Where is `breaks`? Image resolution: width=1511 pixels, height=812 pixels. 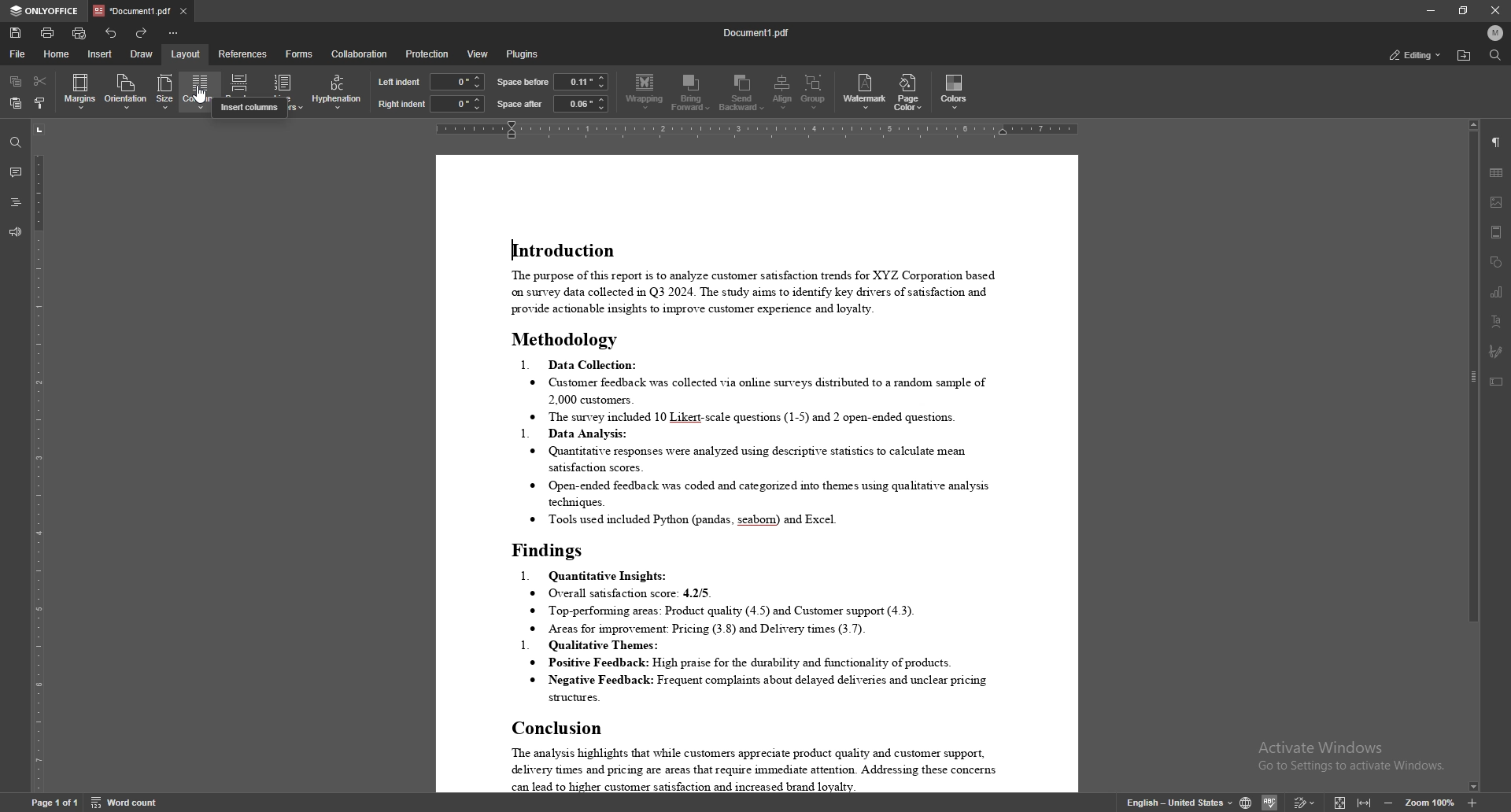
breaks is located at coordinates (241, 91).